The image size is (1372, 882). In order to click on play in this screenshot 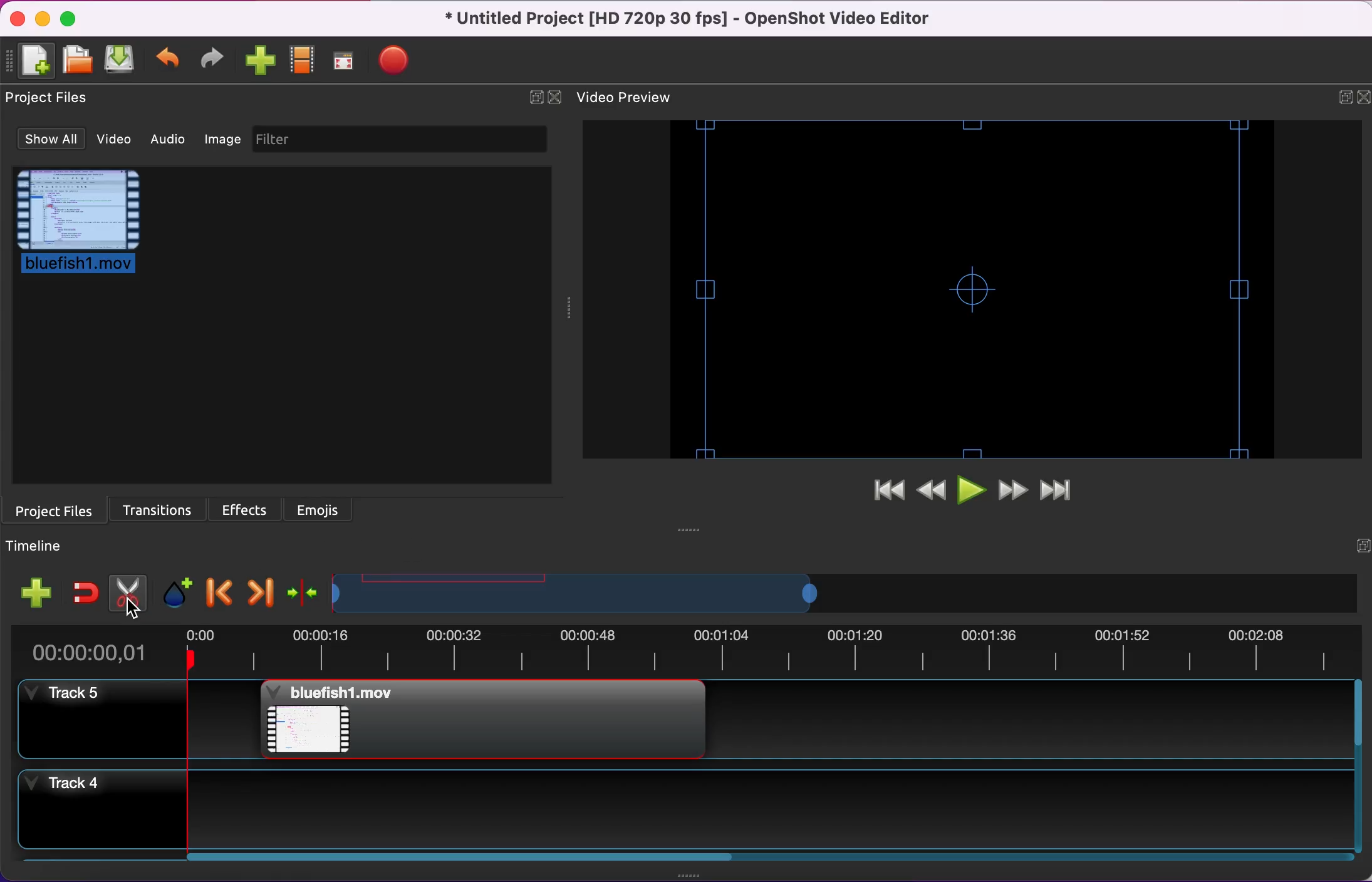, I will do `click(970, 490)`.